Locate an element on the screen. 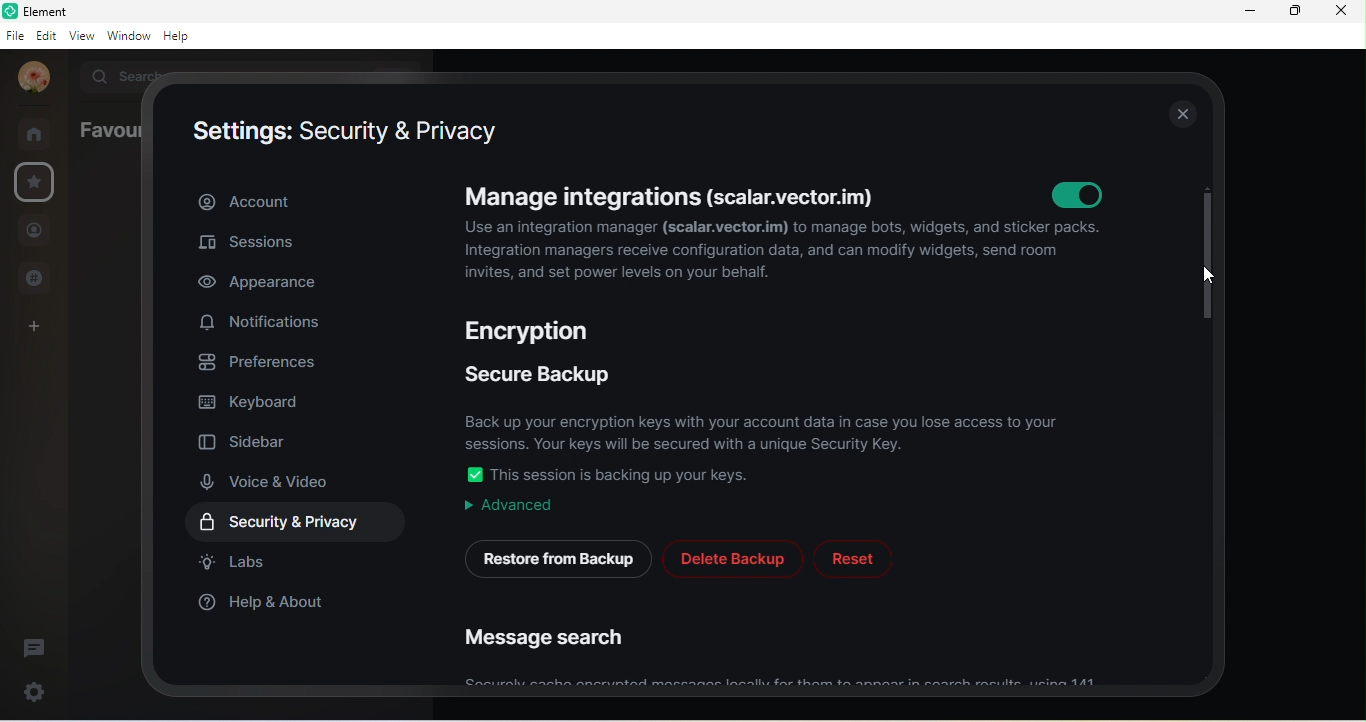 Image resolution: width=1366 pixels, height=722 pixels. account is located at coordinates (298, 200).